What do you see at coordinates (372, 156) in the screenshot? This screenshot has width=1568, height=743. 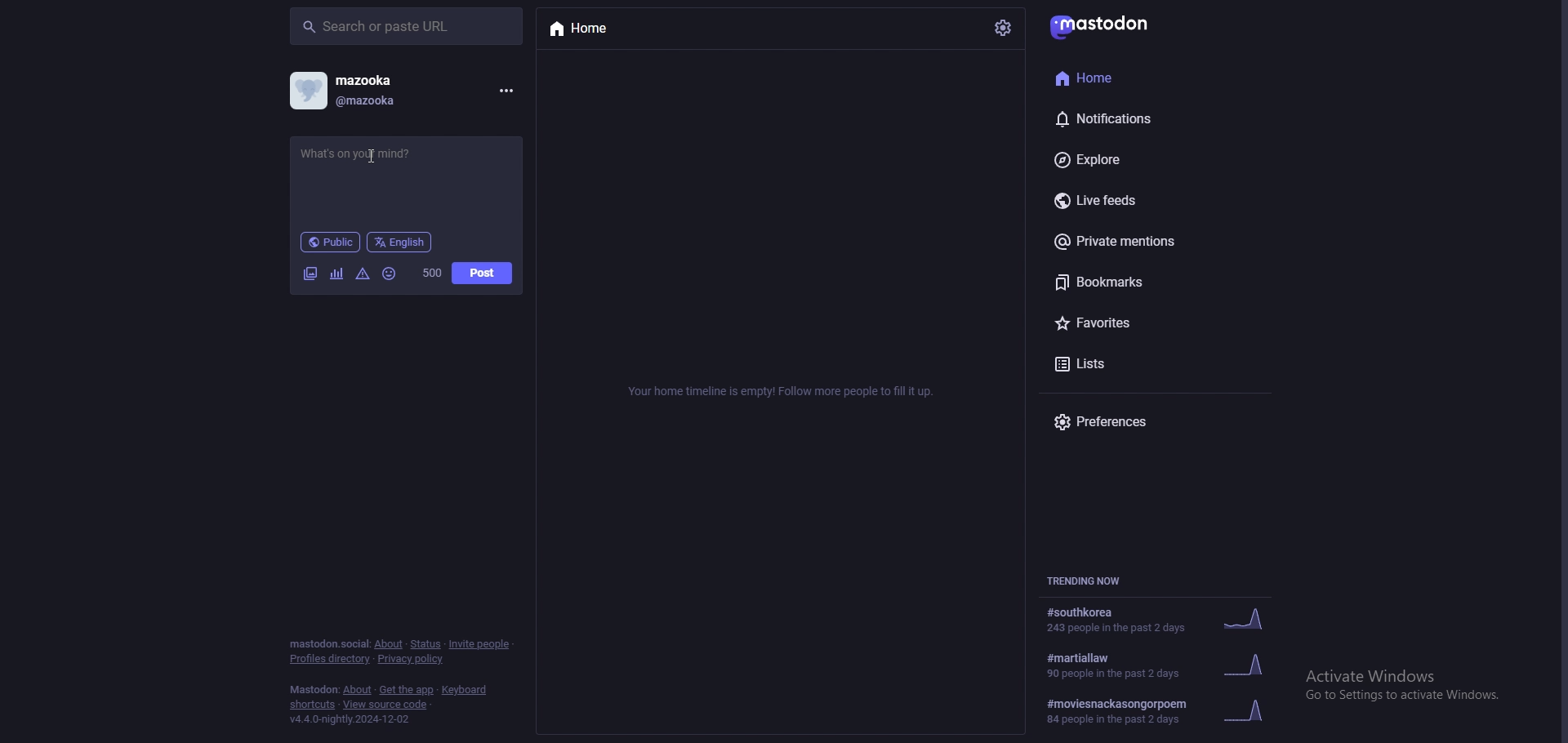 I see `Cursor` at bounding box center [372, 156].